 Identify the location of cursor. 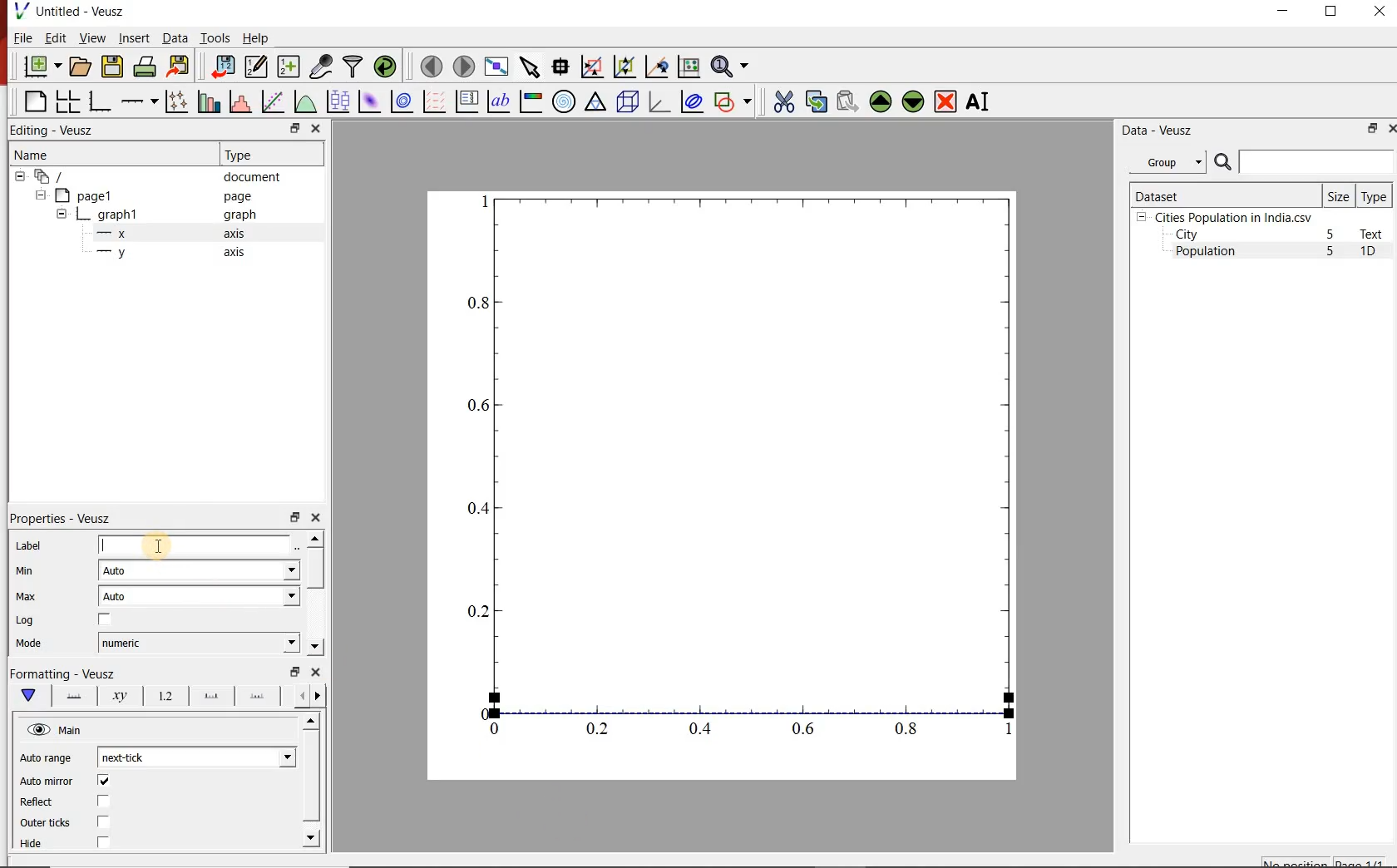
(158, 541).